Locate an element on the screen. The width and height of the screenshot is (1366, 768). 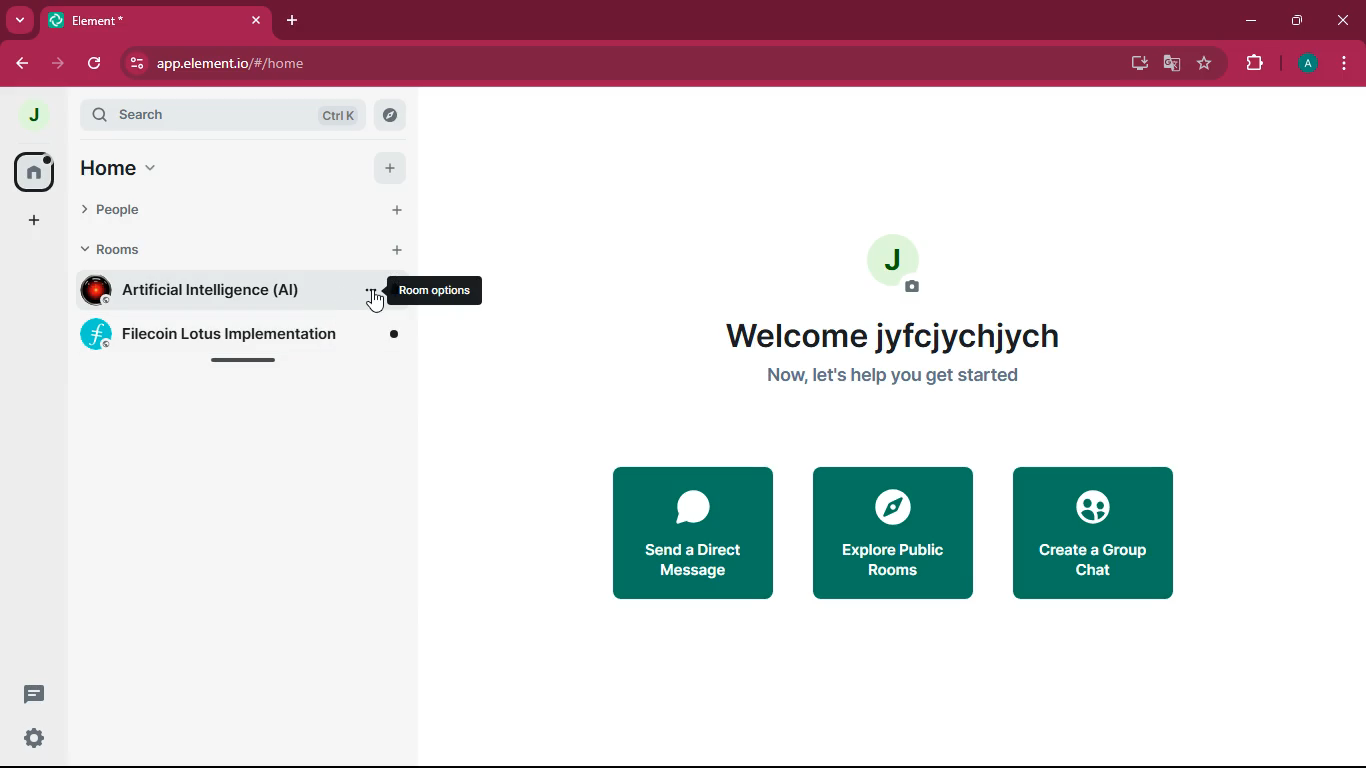
create group chate is located at coordinates (1093, 537).